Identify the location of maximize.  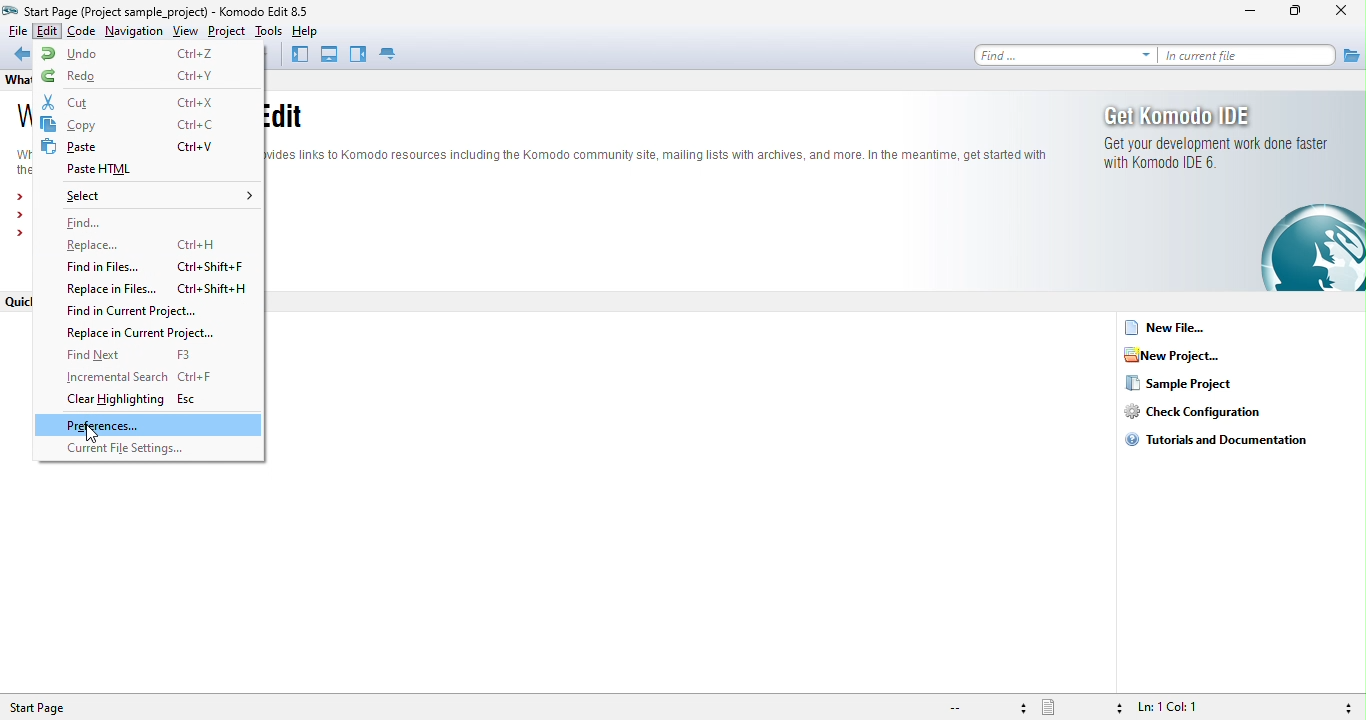
(1300, 12).